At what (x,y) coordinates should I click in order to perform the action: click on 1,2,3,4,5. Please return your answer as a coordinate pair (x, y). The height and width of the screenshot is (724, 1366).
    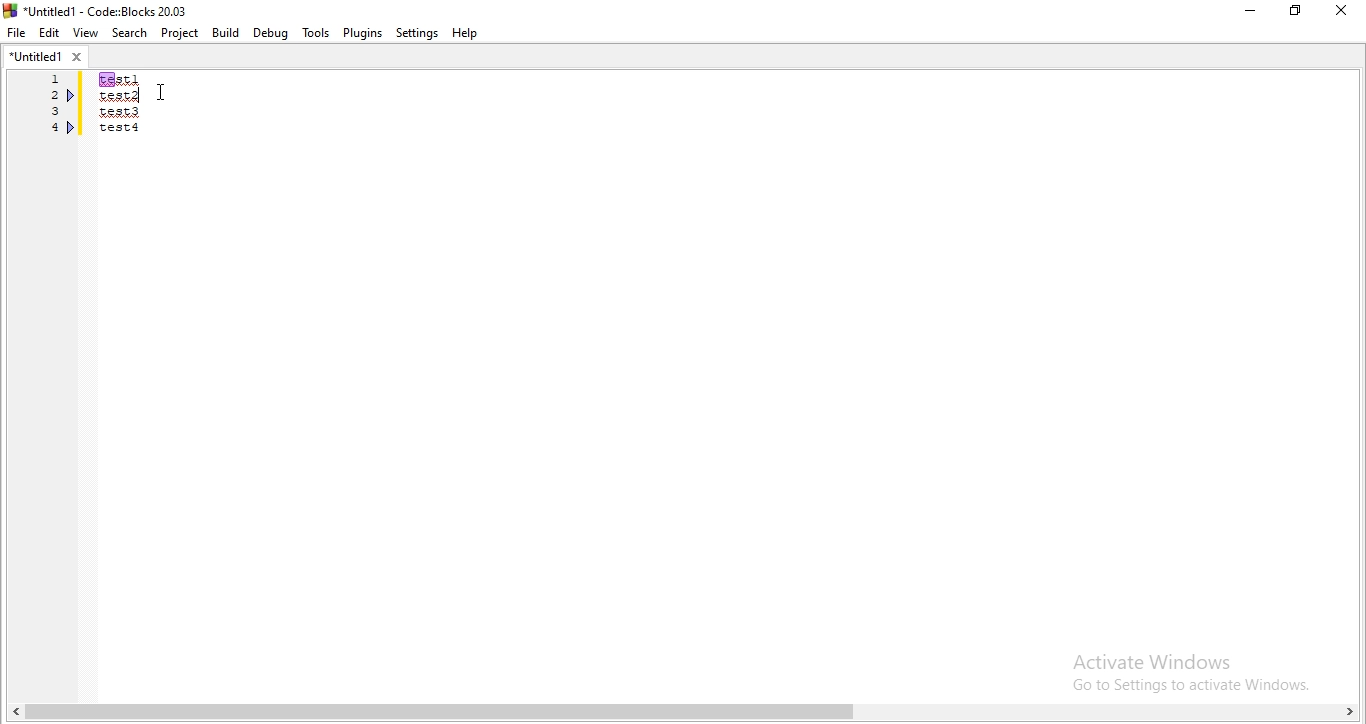
    Looking at the image, I should click on (49, 118).